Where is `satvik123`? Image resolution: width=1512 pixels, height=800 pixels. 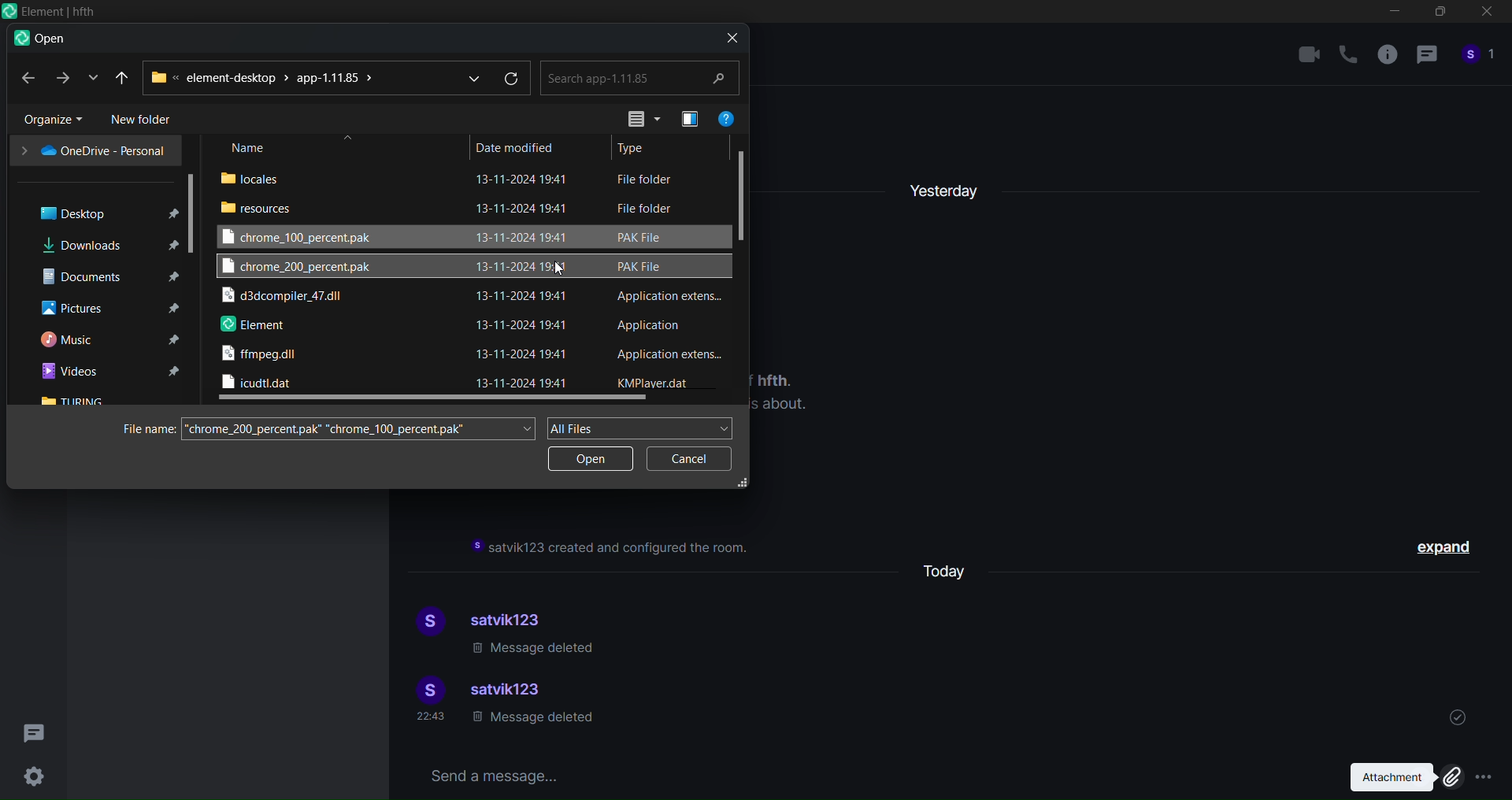 satvik123 is located at coordinates (514, 617).